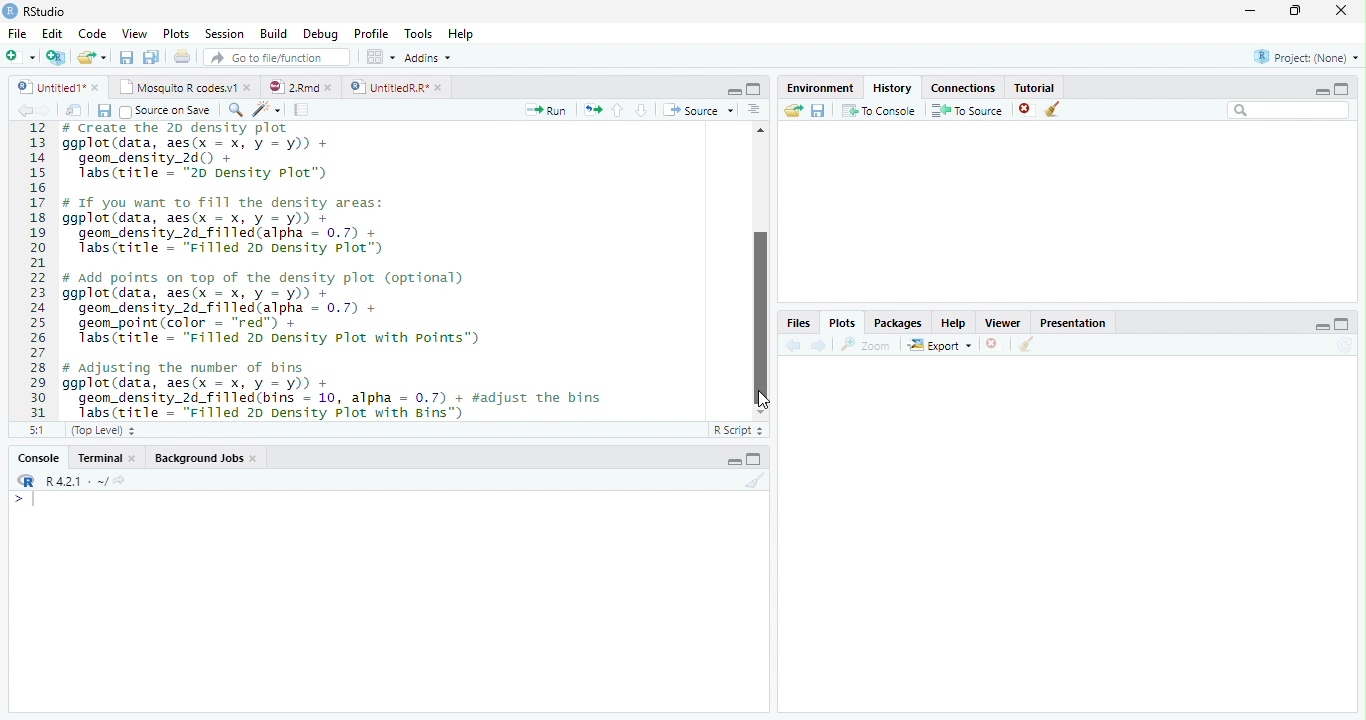 The width and height of the screenshot is (1366, 720). What do you see at coordinates (821, 346) in the screenshot?
I see `next` at bounding box center [821, 346].